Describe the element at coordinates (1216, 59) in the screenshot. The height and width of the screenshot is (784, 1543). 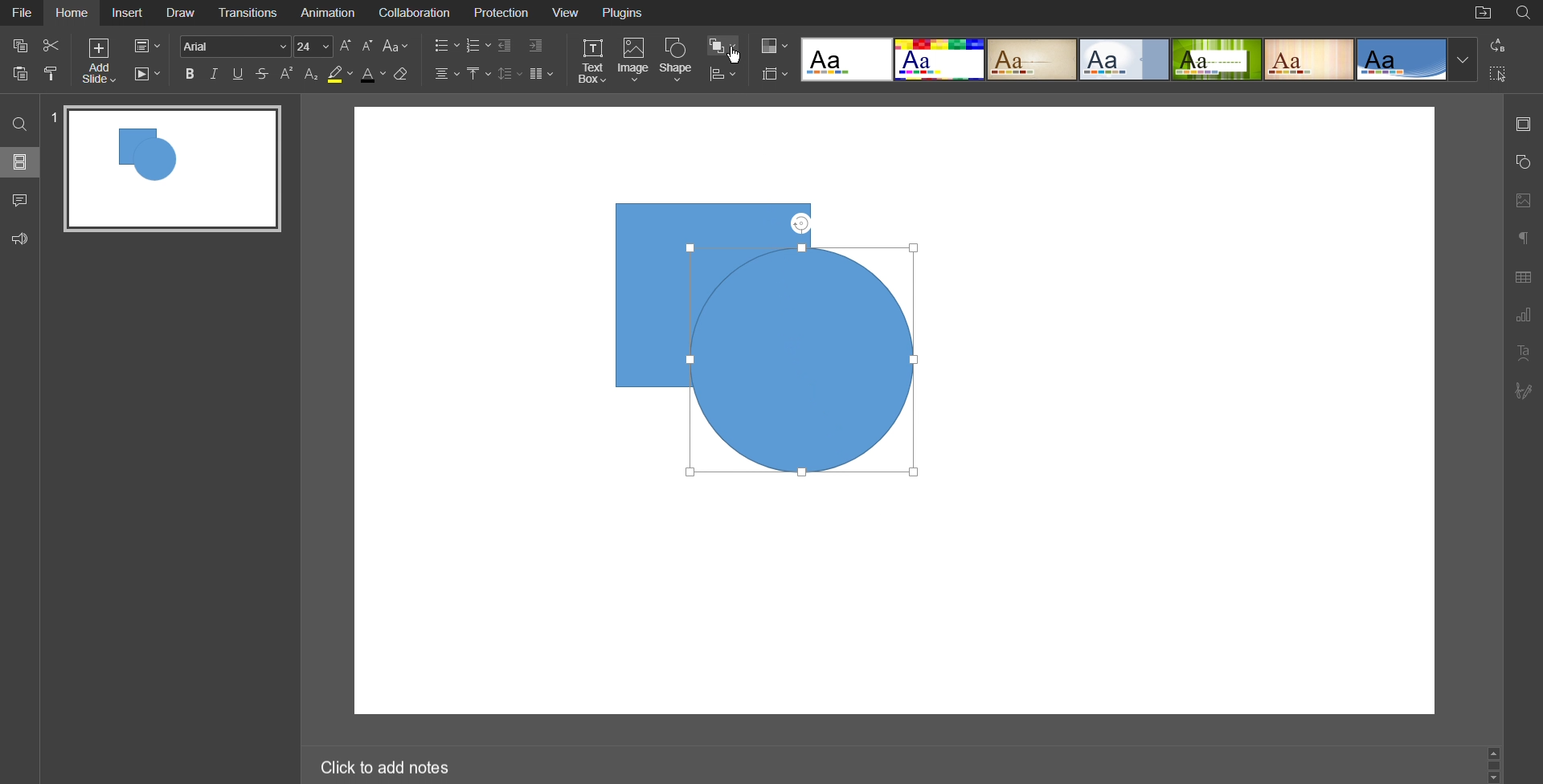
I see `Green Leaf` at that location.